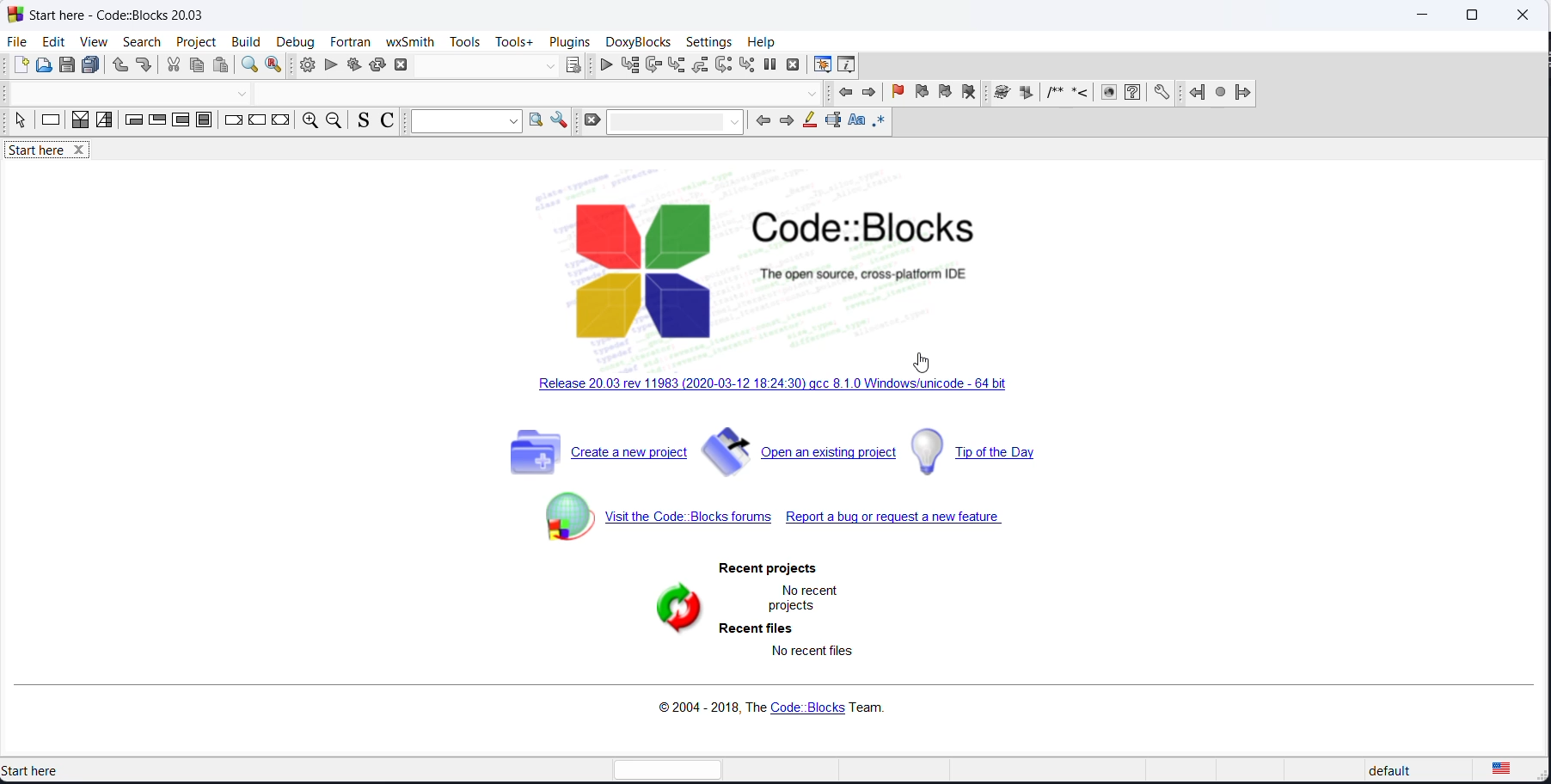 The image size is (1551, 784). What do you see at coordinates (700, 65) in the screenshot?
I see `step out` at bounding box center [700, 65].